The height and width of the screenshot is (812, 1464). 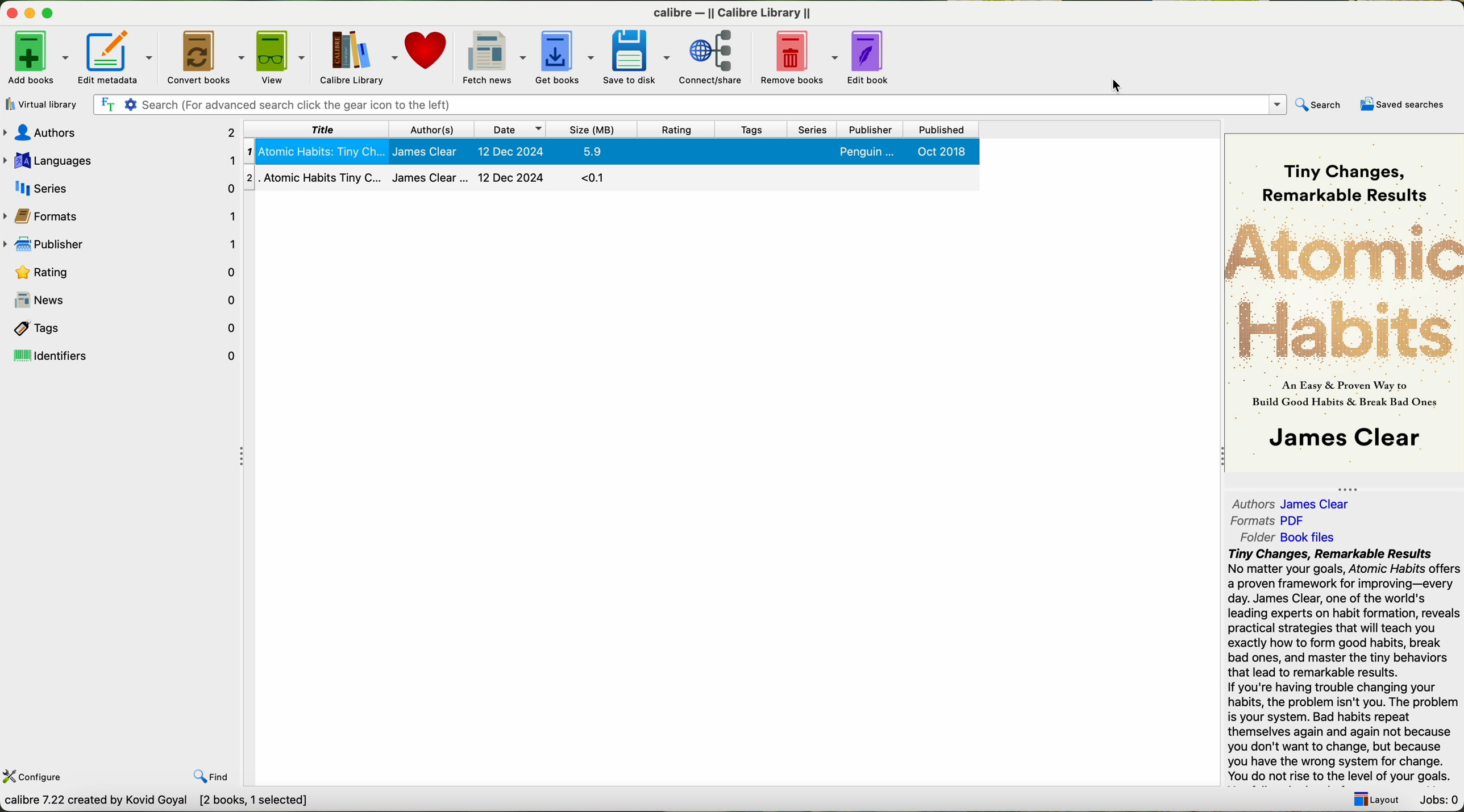 I want to click on Atomic Habits Tiny C., so click(x=313, y=176).